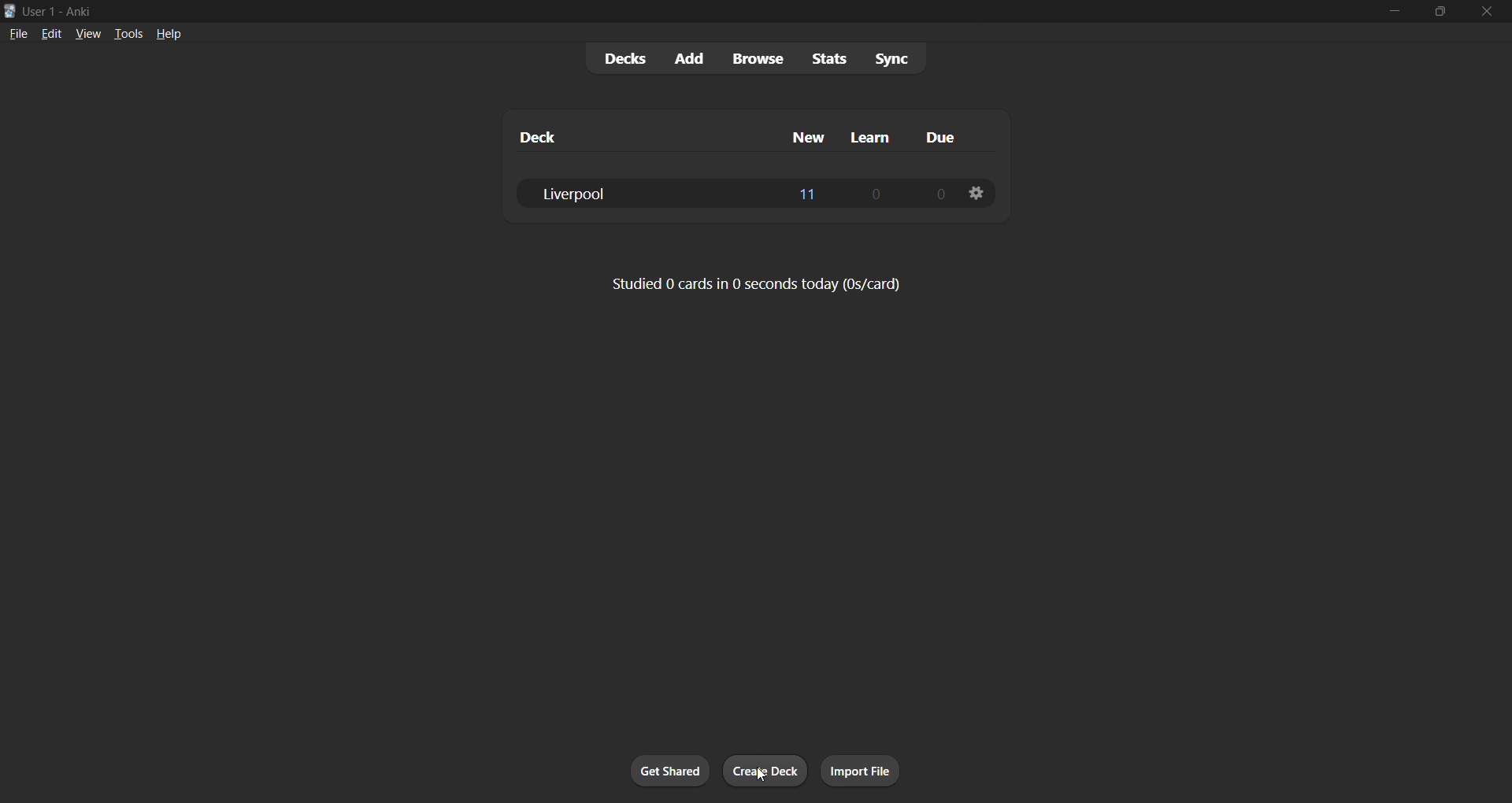 The image size is (1512, 803). What do you see at coordinates (83, 33) in the screenshot?
I see `view` at bounding box center [83, 33].